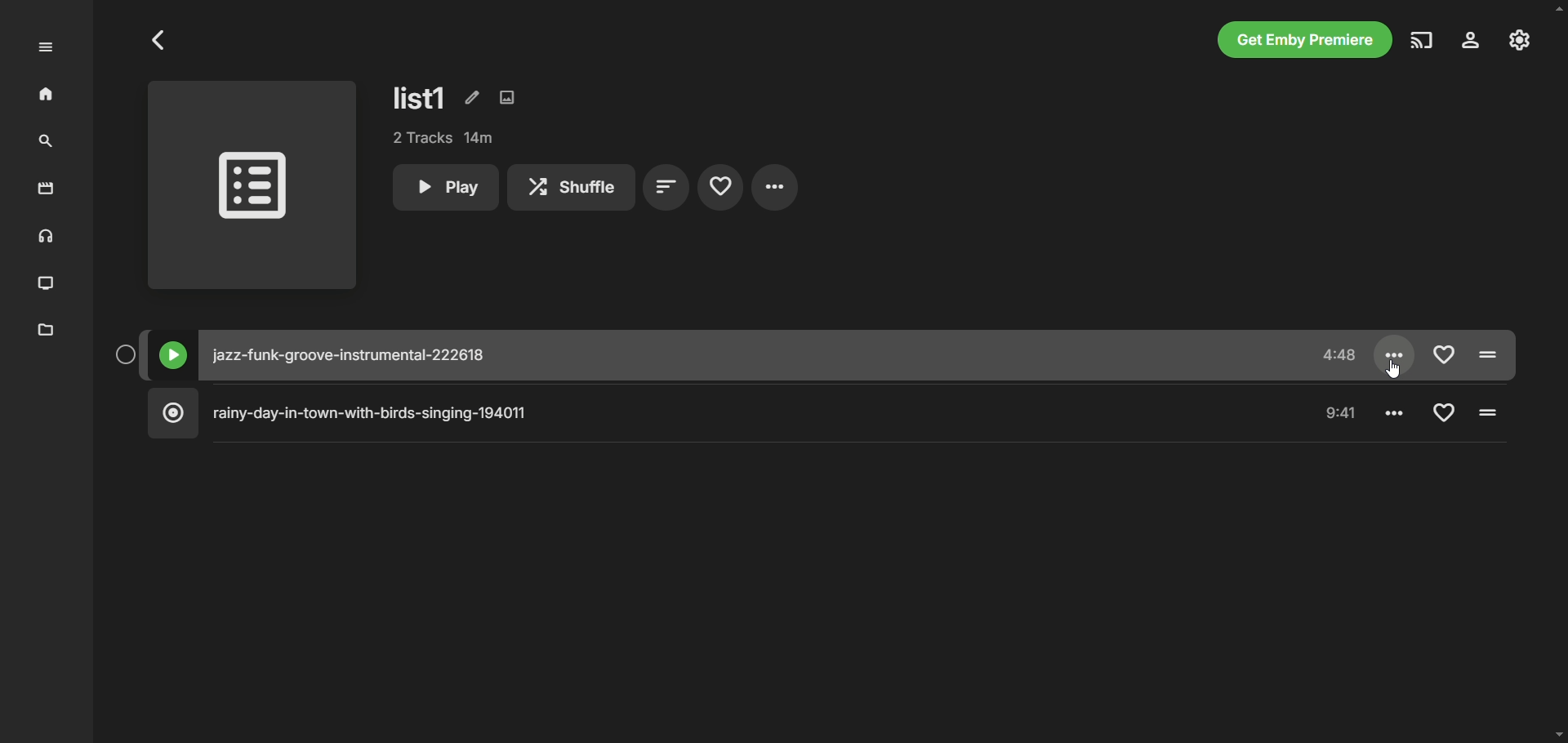 The width and height of the screenshot is (1568, 743). I want to click on music title, so click(728, 355).